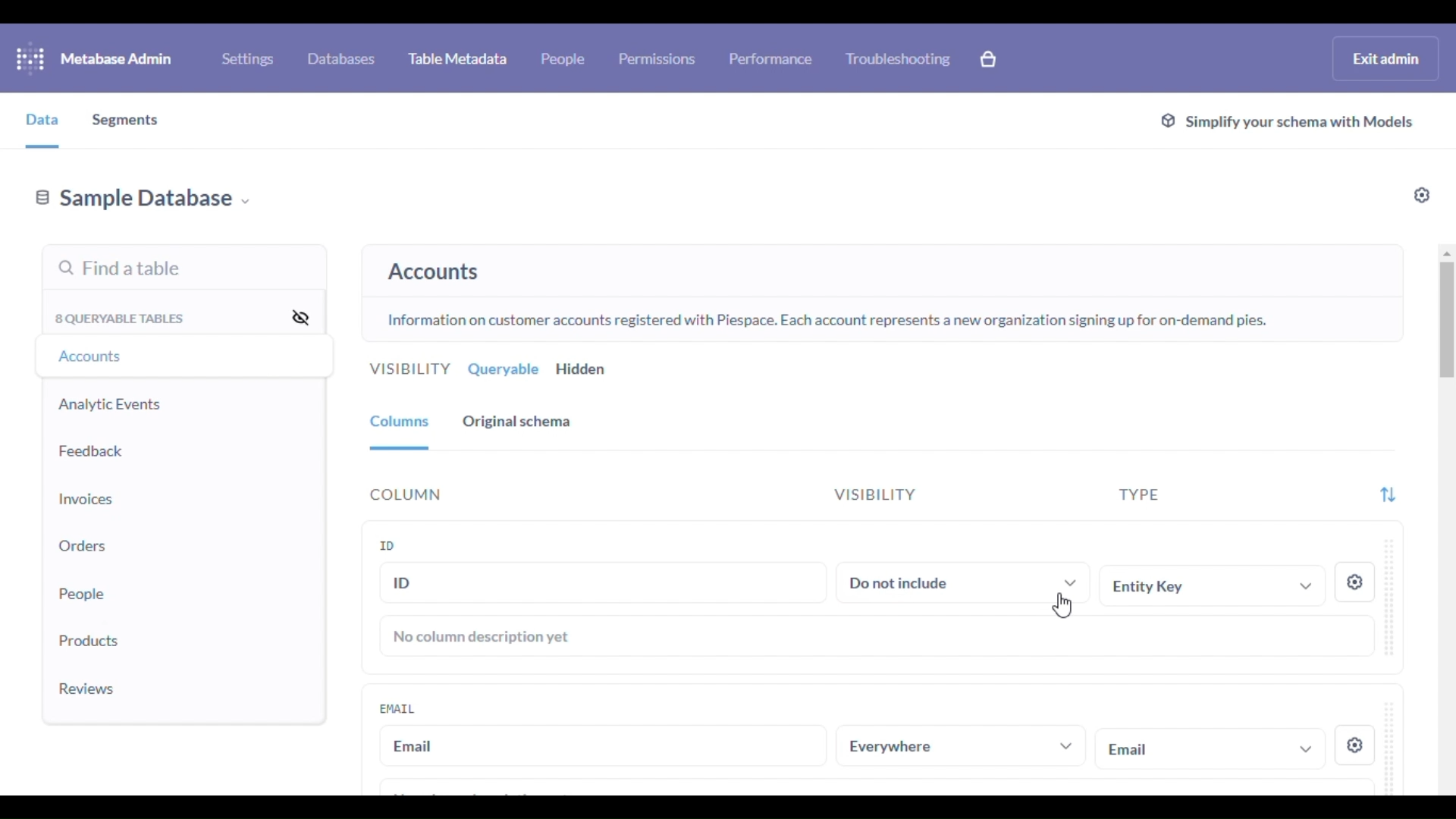  Describe the element at coordinates (874, 494) in the screenshot. I see `visibility` at that location.